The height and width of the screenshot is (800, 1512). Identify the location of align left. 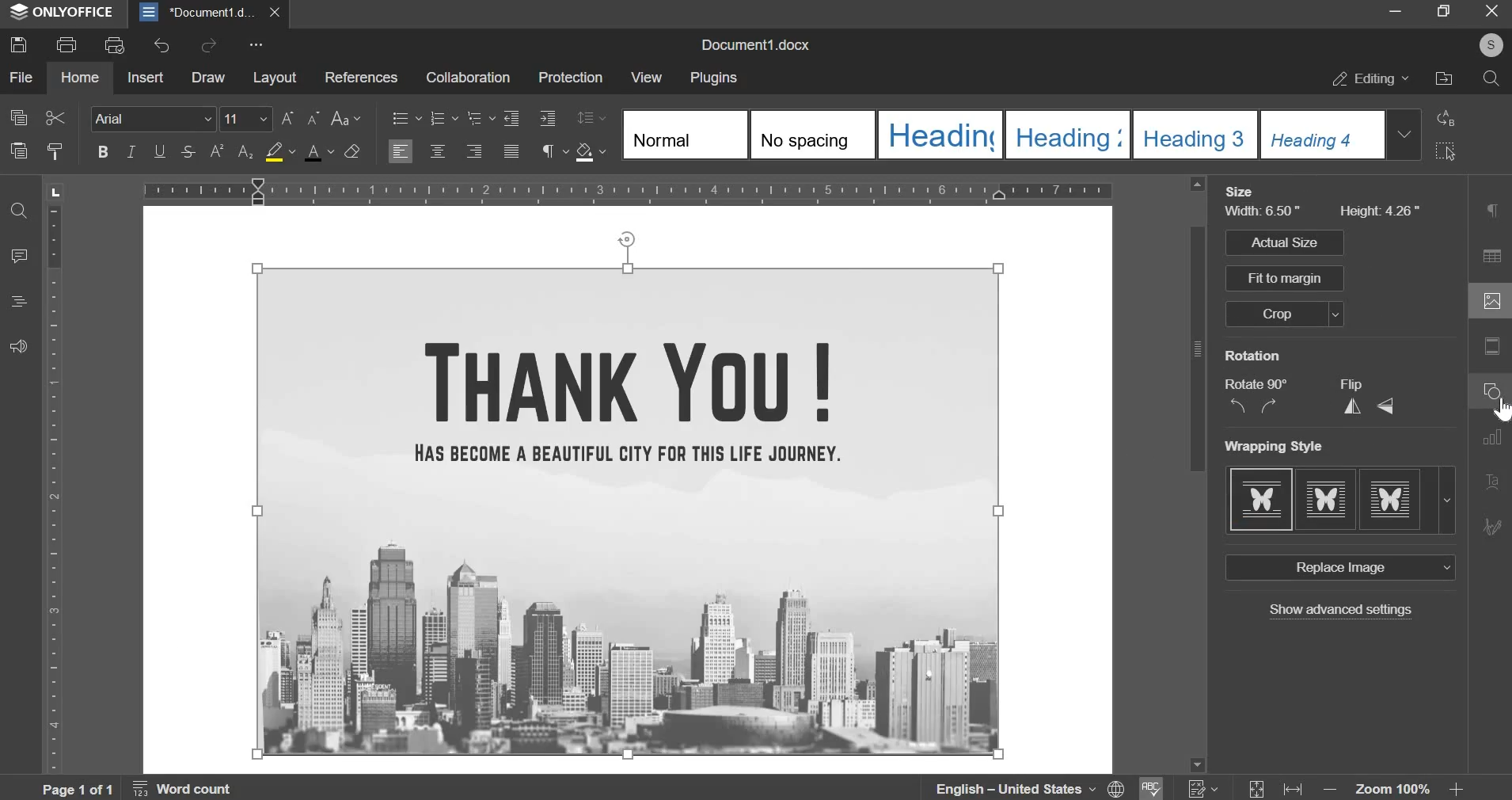
(400, 150).